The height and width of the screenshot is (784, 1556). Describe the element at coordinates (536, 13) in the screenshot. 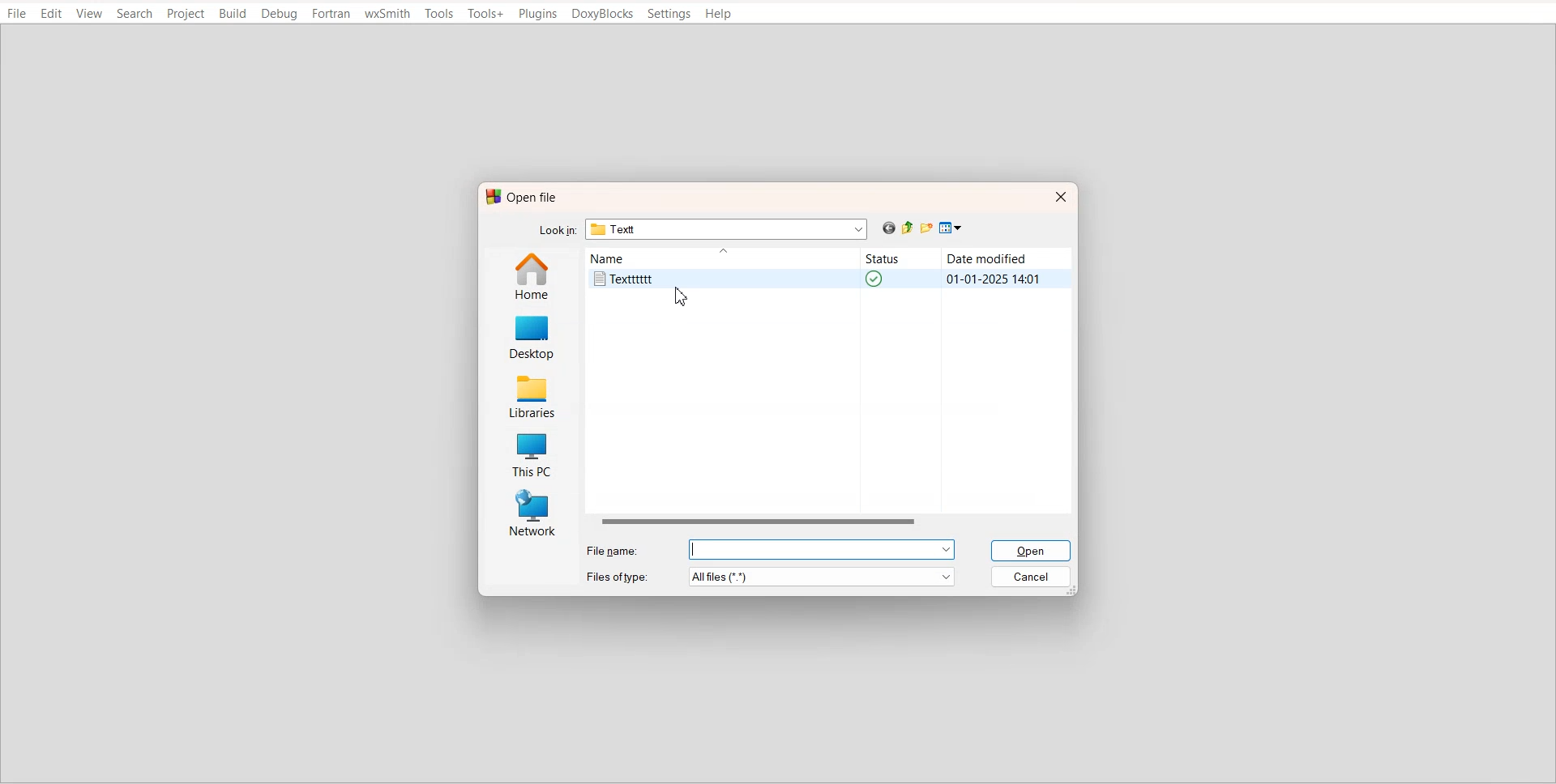

I see `Plugins` at that location.